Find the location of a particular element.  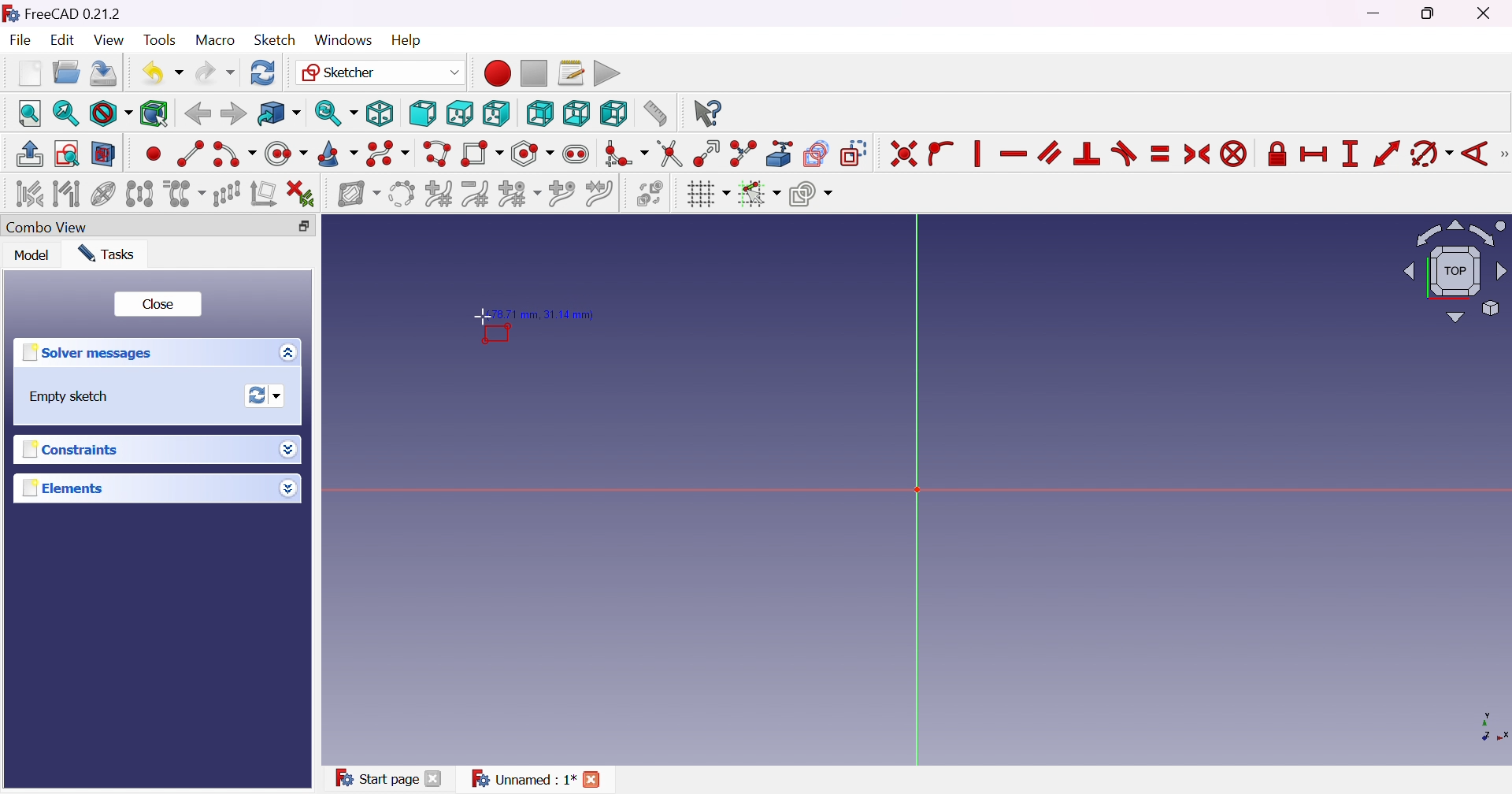

Rectangular array is located at coordinates (228, 194).